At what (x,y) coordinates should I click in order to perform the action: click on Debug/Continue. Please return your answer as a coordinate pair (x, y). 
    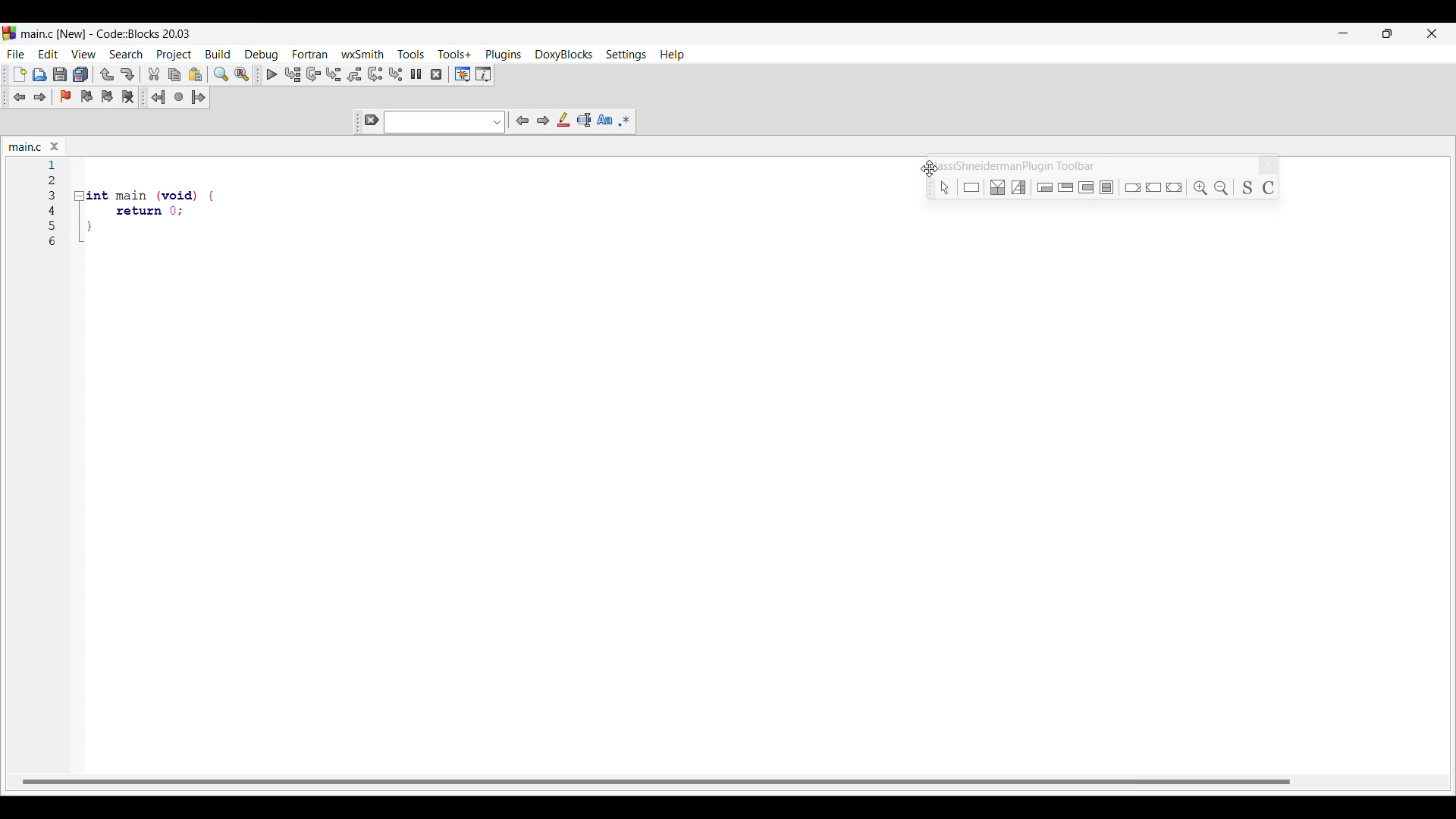
    Looking at the image, I should click on (272, 74).